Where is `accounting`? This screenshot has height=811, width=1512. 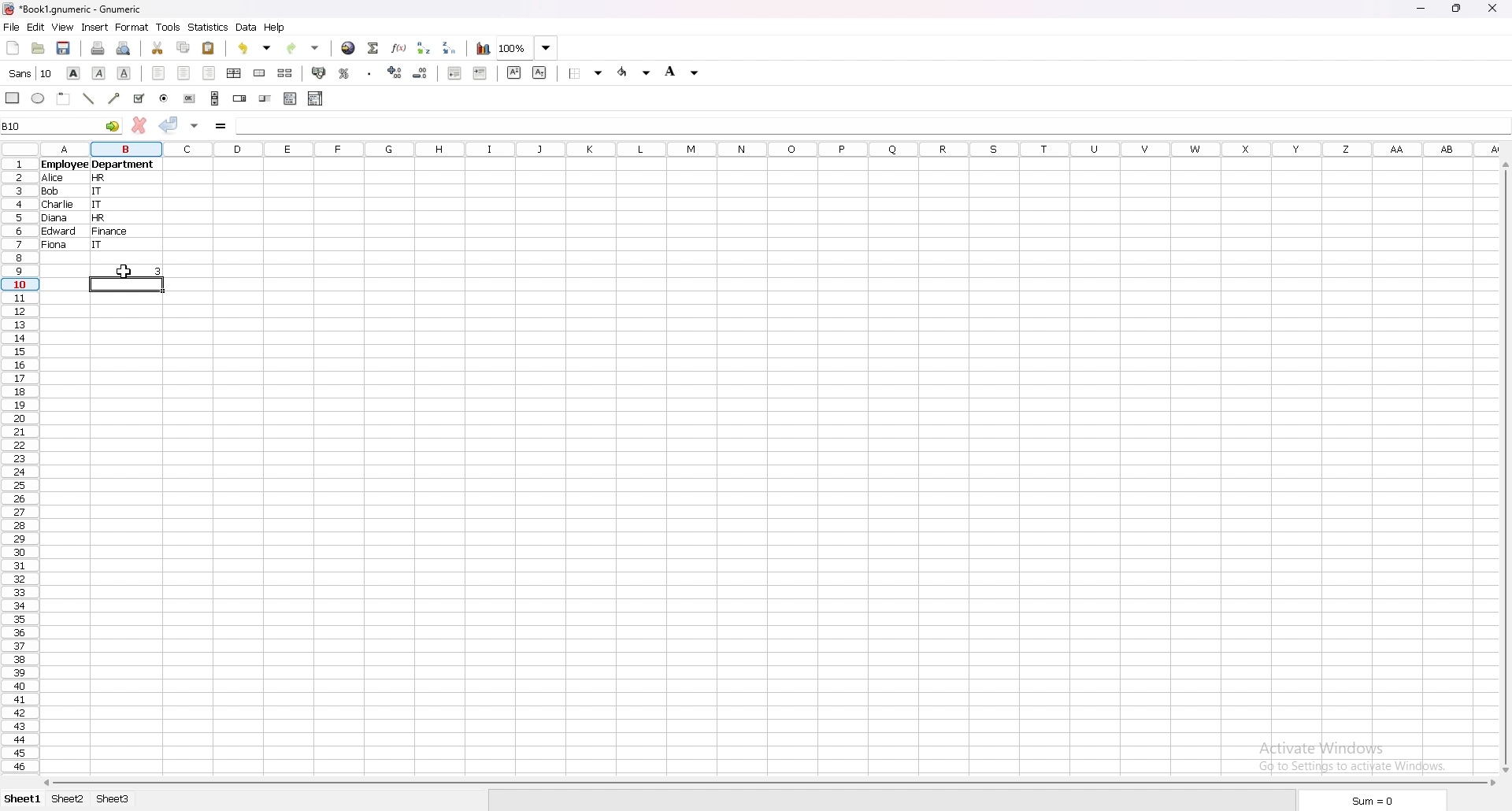 accounting is located at coordinates (320, 72).